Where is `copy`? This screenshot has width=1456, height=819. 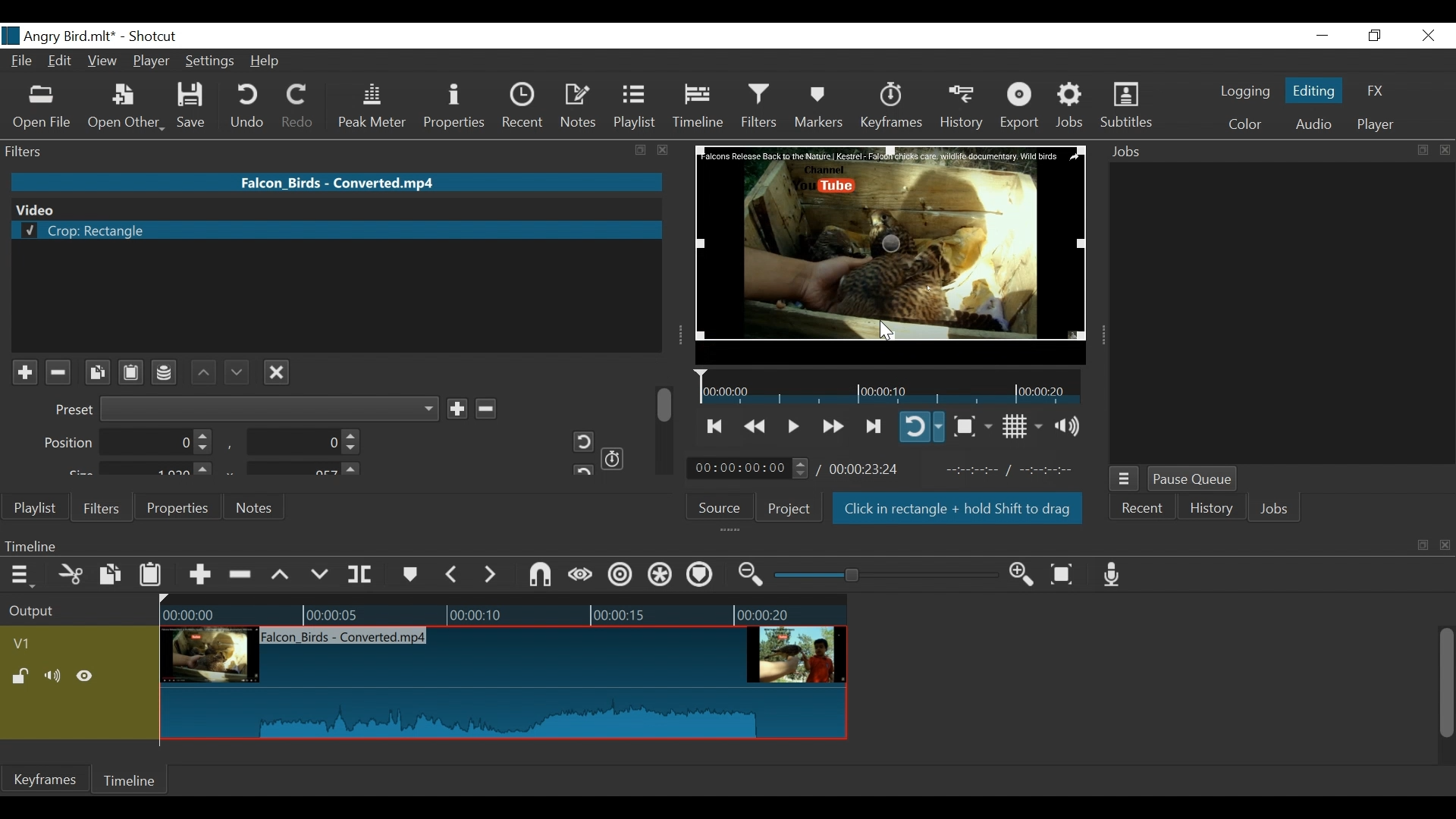 copy is located at coordinates (1421, 150).